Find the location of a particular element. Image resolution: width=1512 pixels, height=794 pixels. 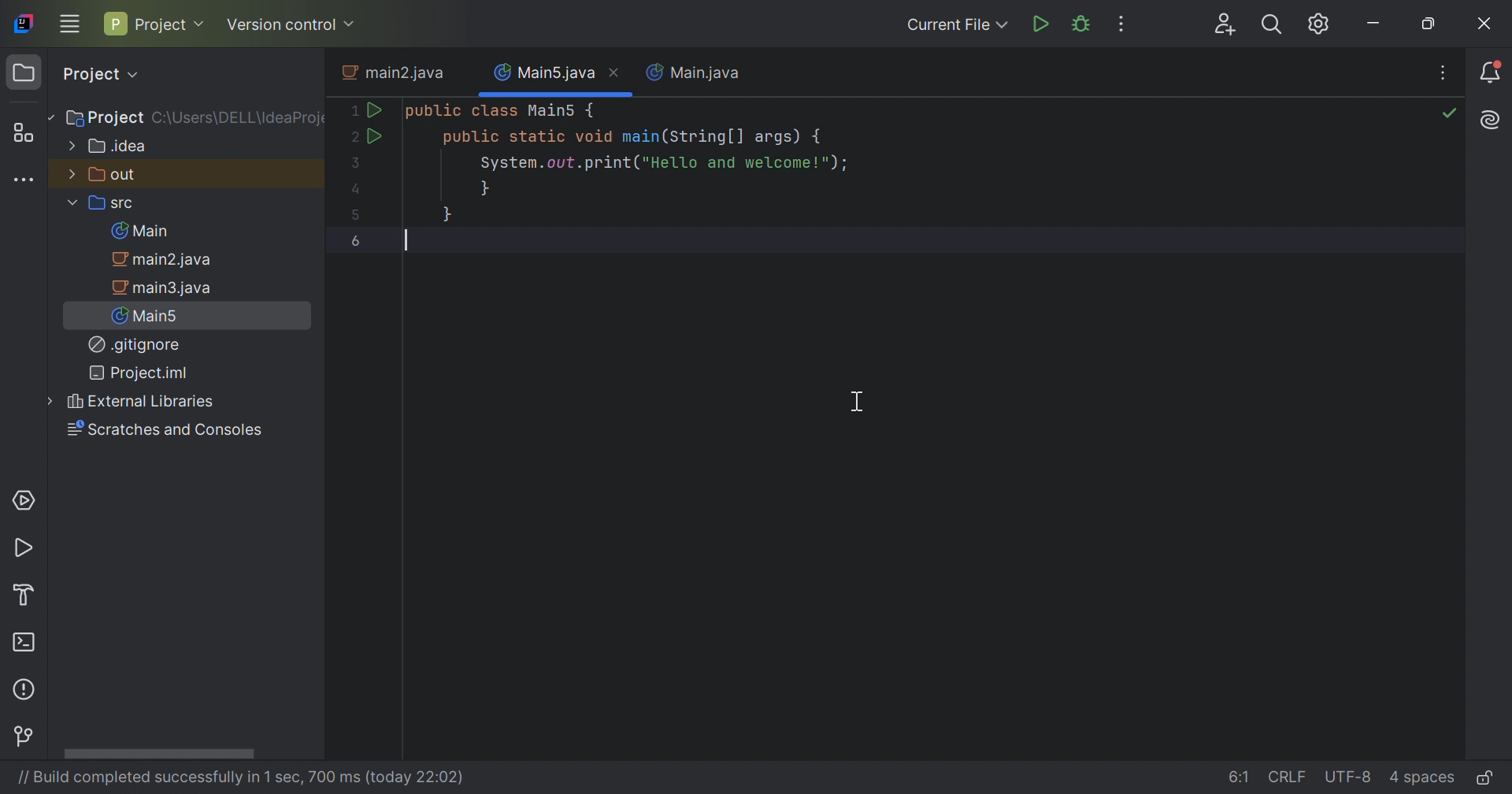

Restore down is located at coordinates (1432, 26).